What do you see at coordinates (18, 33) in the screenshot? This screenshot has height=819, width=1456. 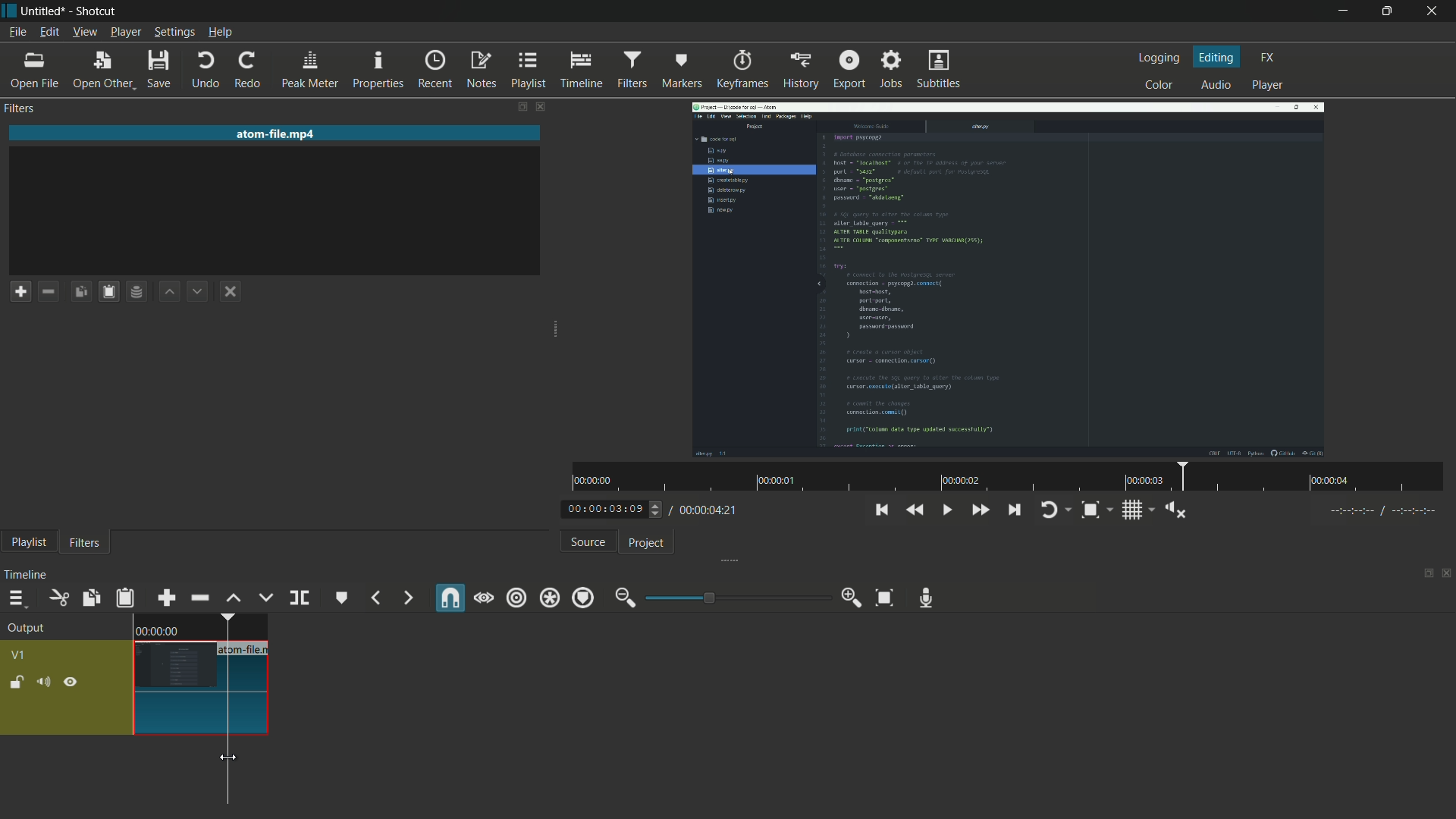 I see `file menu` at bounding box center [18, 33].